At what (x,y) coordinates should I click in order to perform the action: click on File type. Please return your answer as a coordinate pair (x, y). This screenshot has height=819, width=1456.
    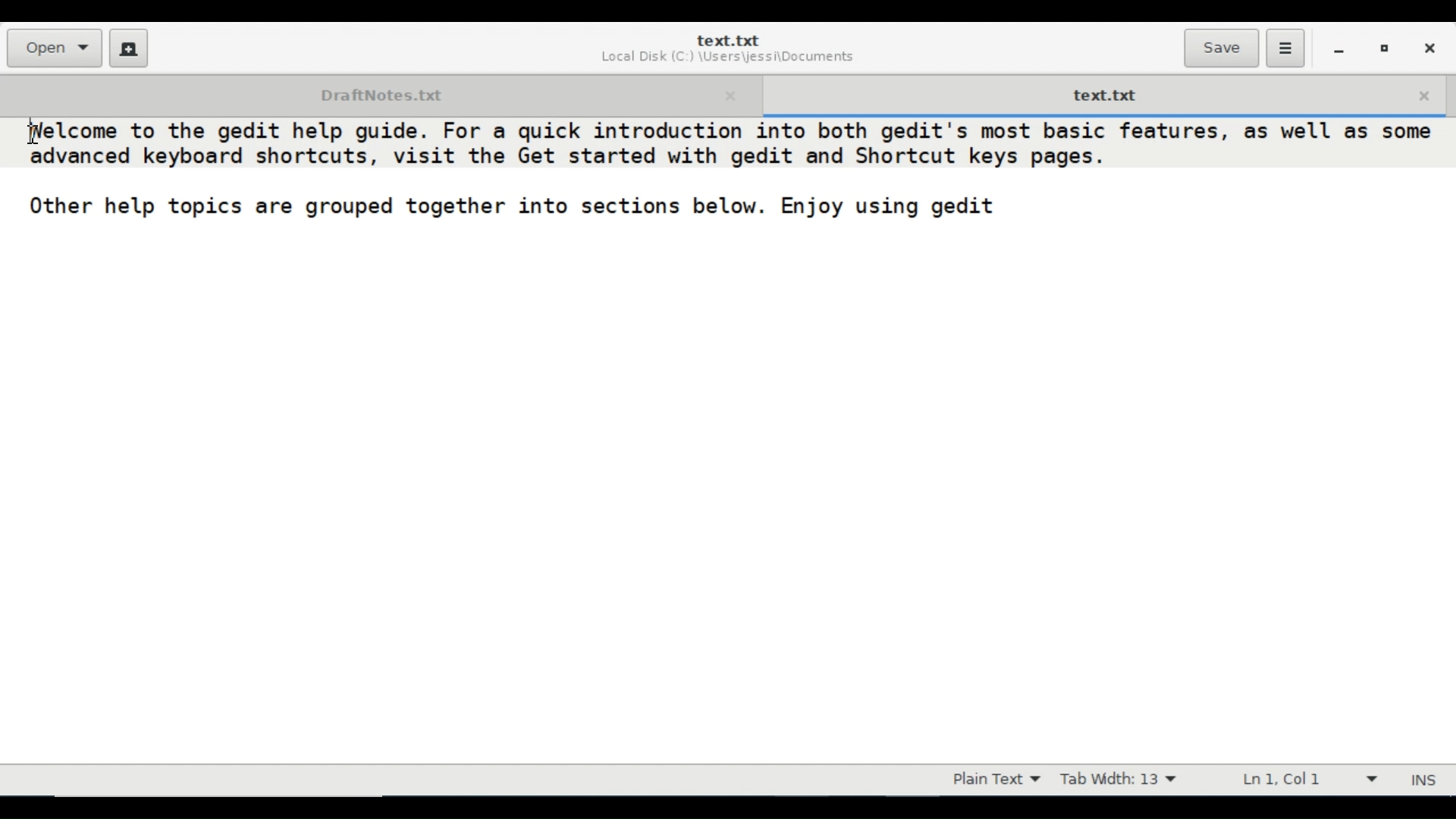
    Looking at the image, I should click on (993, 780).